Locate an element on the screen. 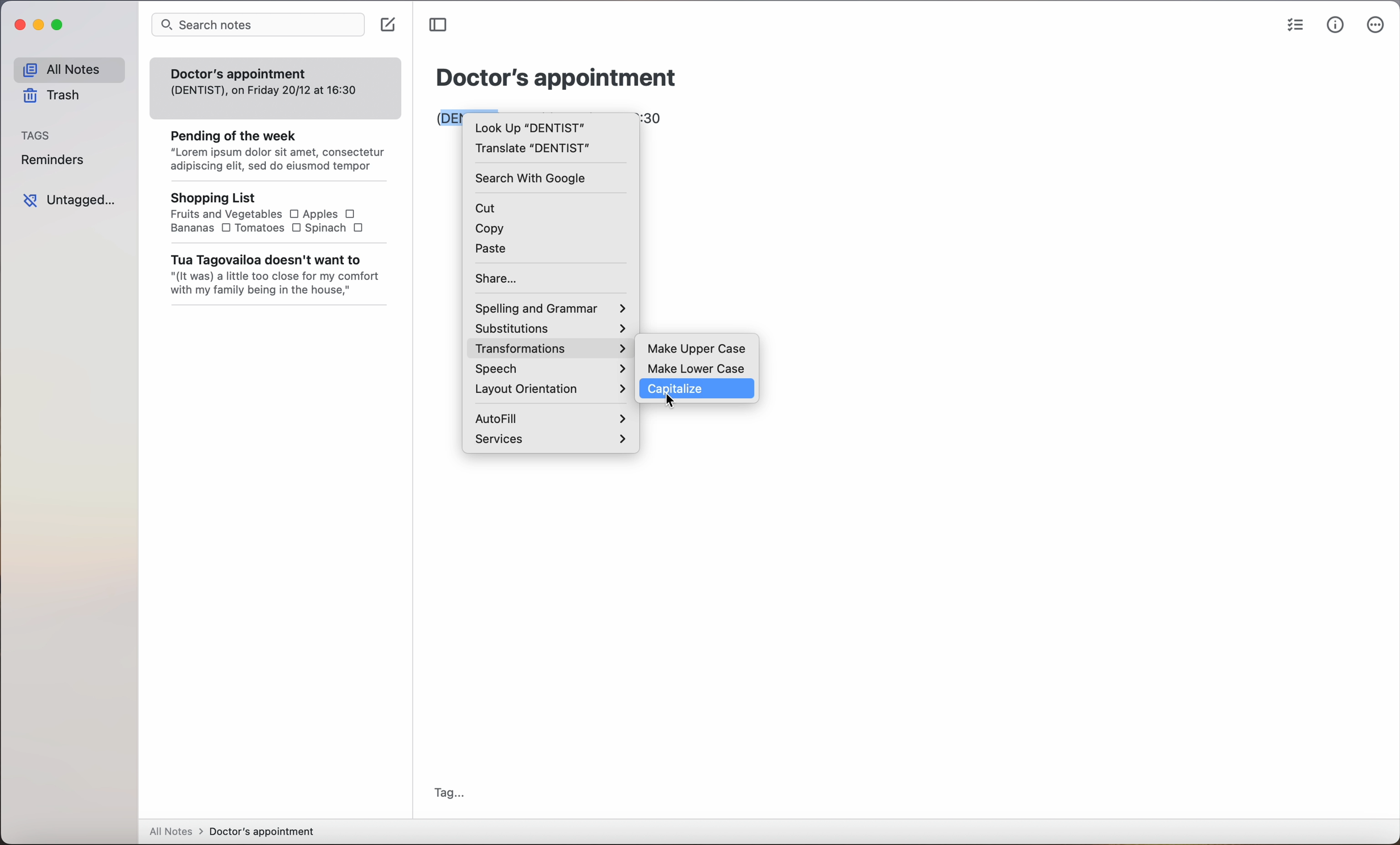  spelling and grammar is located at coordinates (551, 307).